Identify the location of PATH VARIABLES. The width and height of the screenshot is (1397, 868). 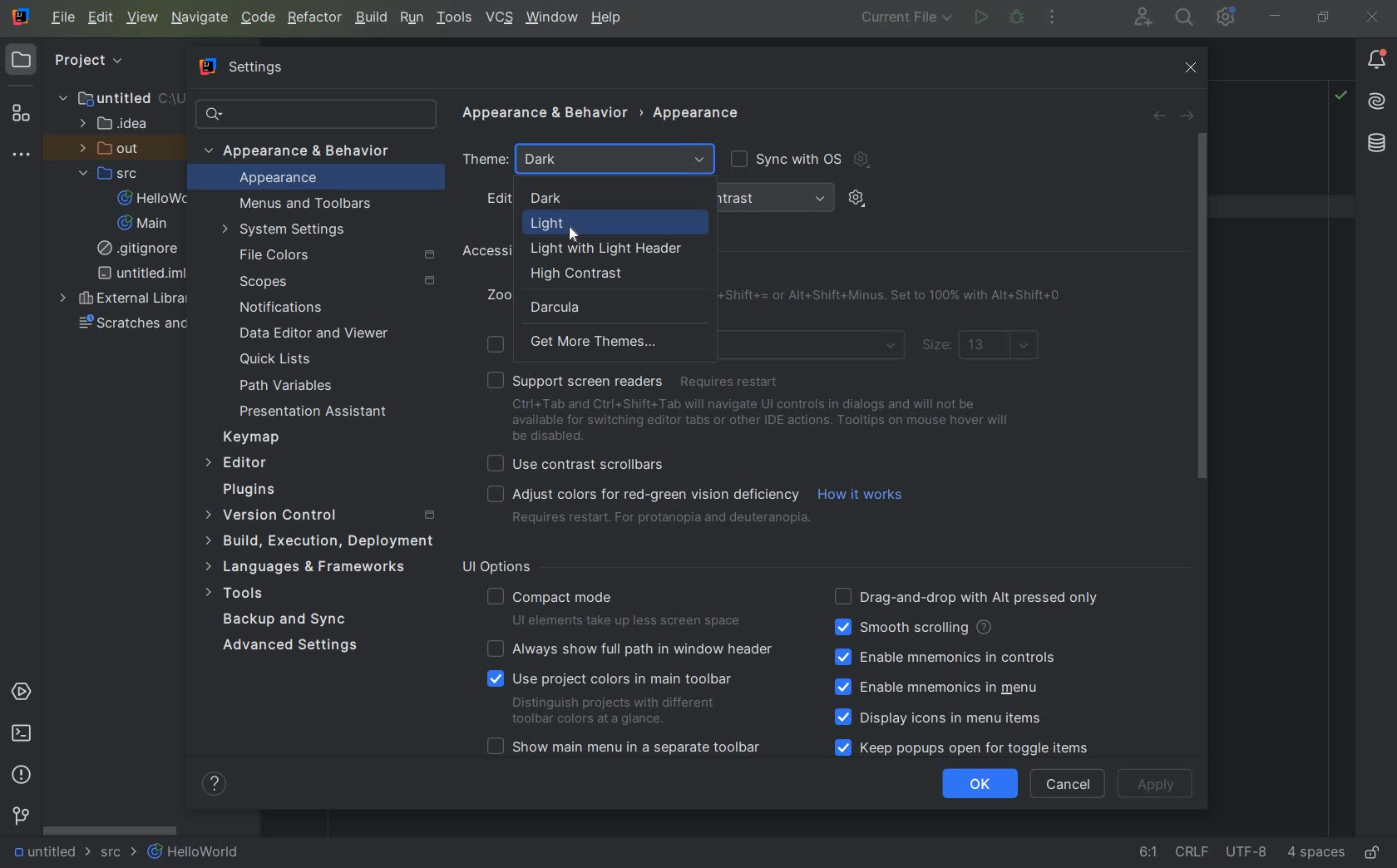
(287, 386).